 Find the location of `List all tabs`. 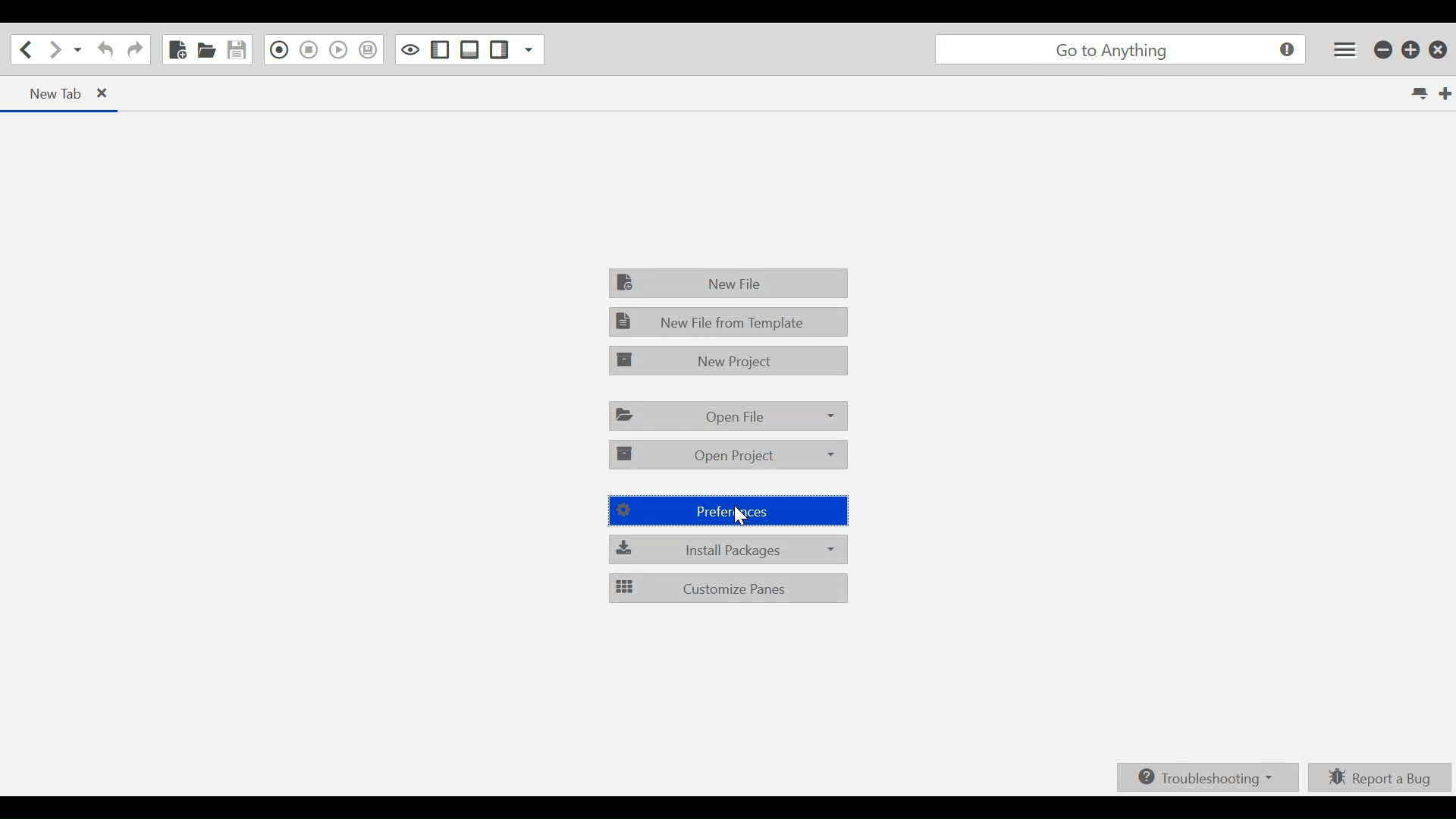

List all tabs is located at coordinates (1418, 92).